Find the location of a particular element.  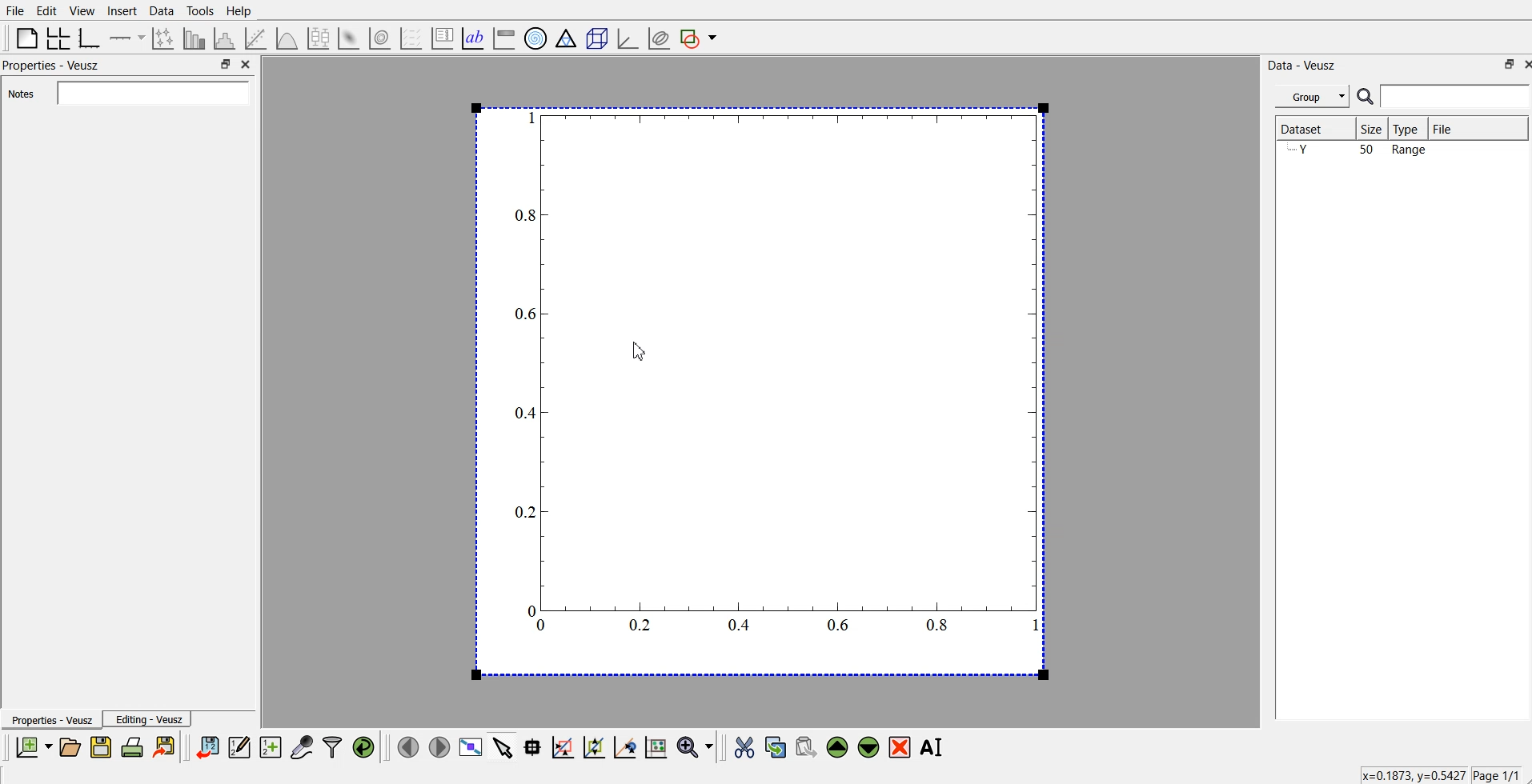

close is located at coordinates (1522, 64).